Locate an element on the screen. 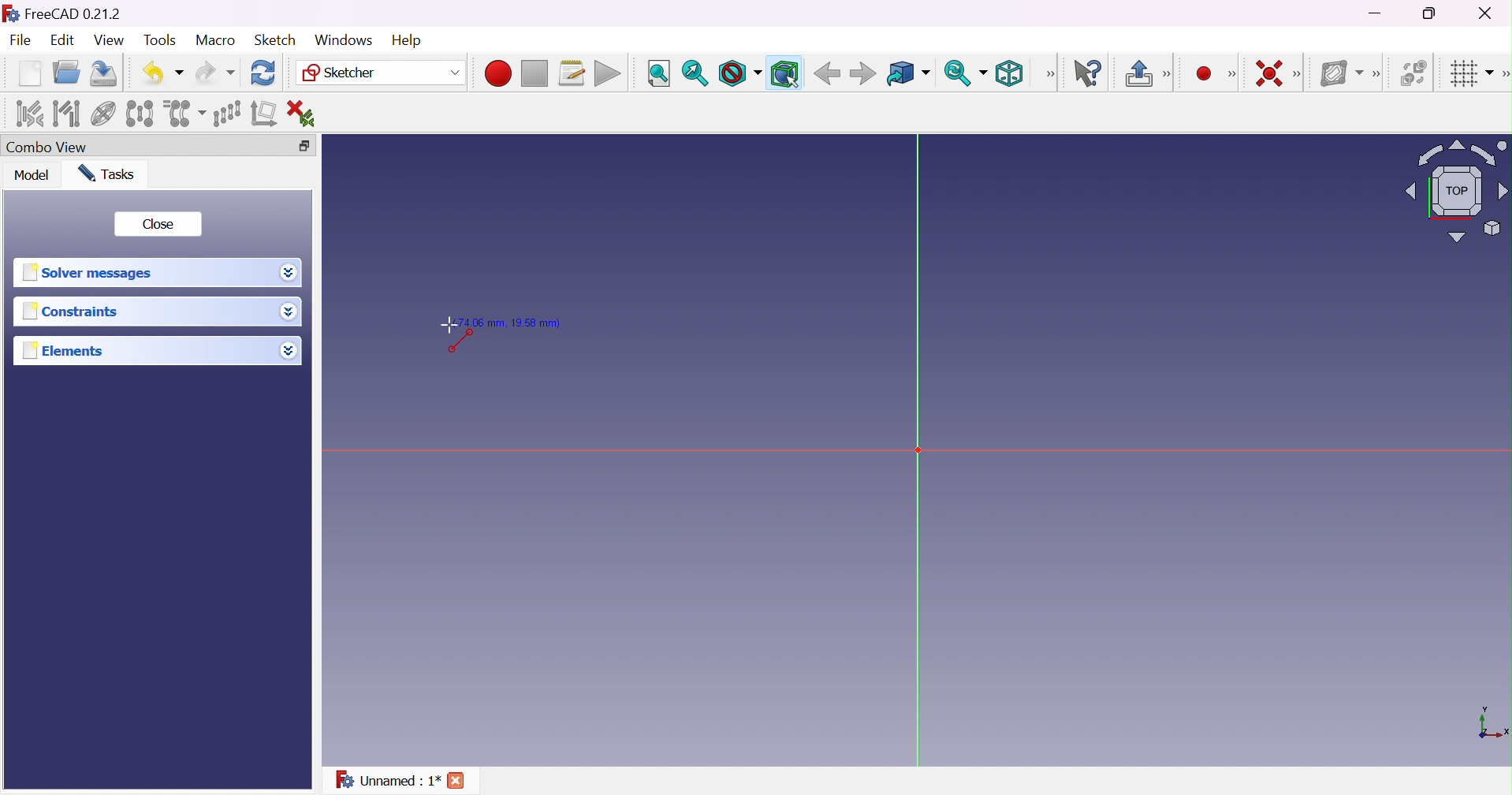 The image size is (1512, 795). Stop macros recording is located at coordinates (534, 74).